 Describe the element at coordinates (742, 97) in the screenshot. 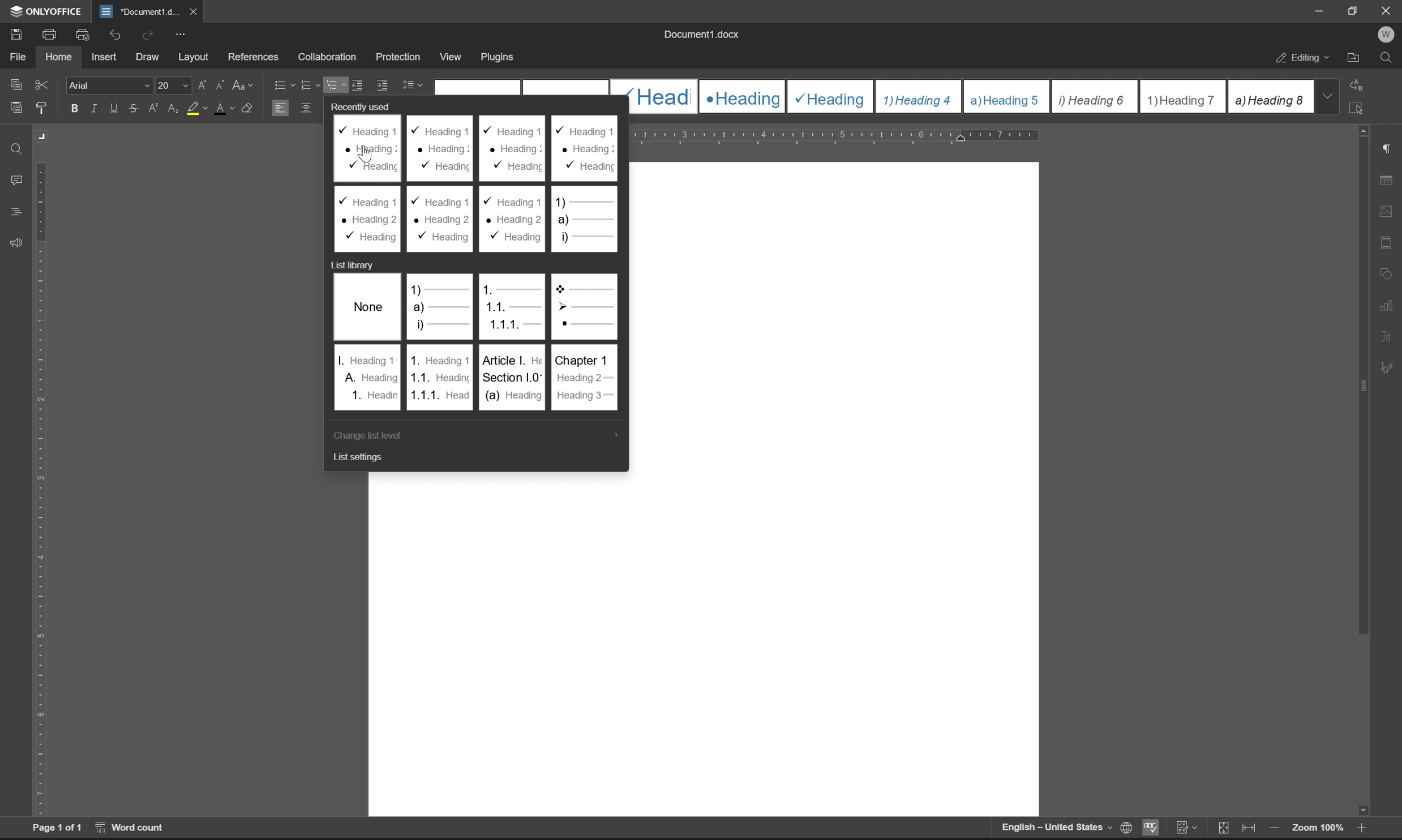

I see `Heading 2` at that location.